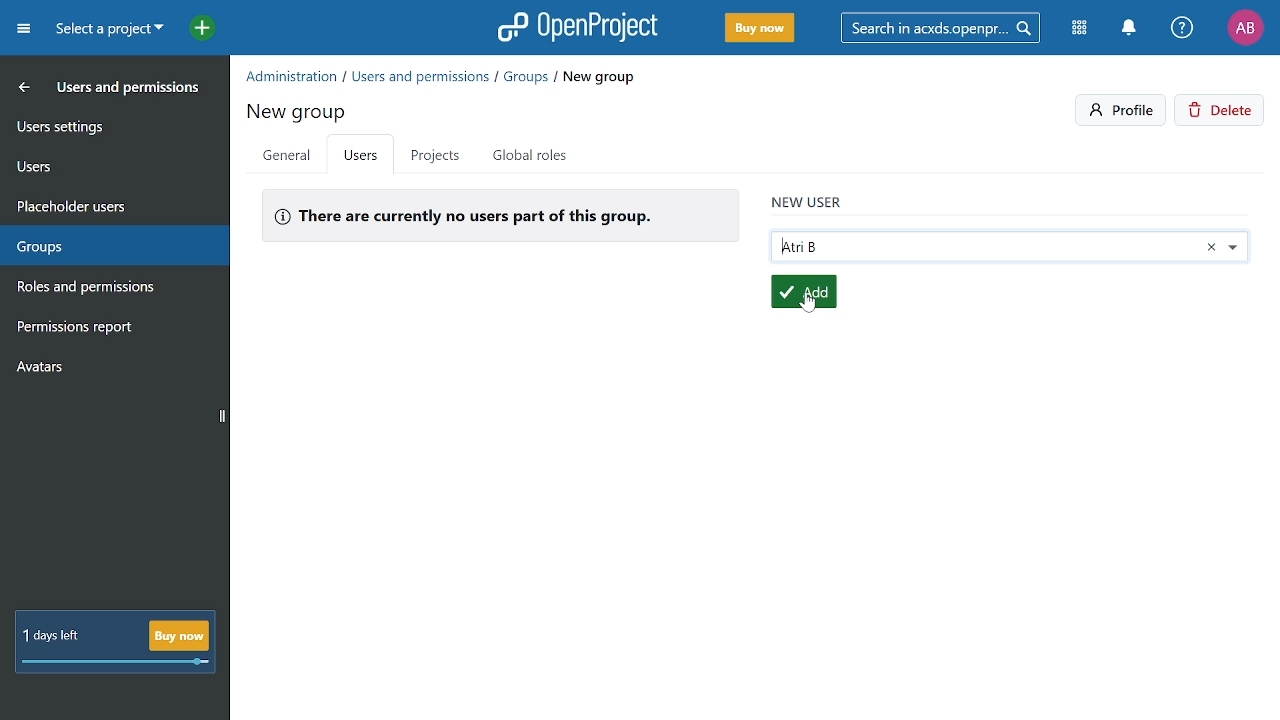 The width and height of the screenshot is (1280, 720). I want to click on Profile, so click(1245, 27).